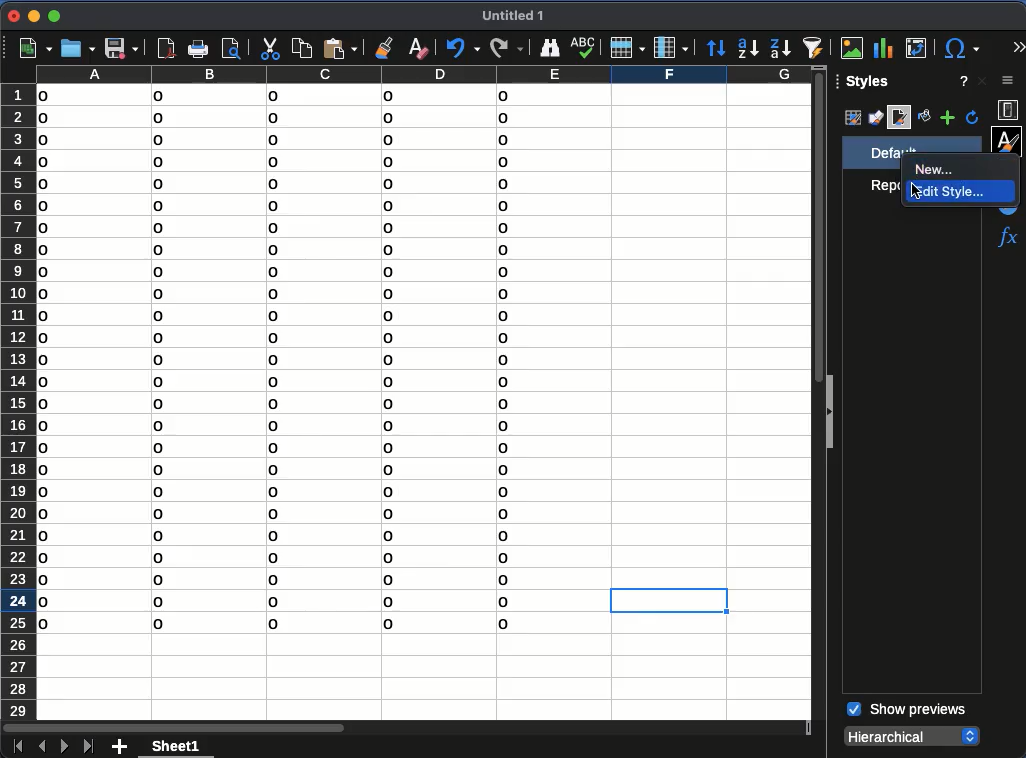  What do you see at coordinates (13, 16) in the screenshot?
I see `close` at bounding box center [13, 16].